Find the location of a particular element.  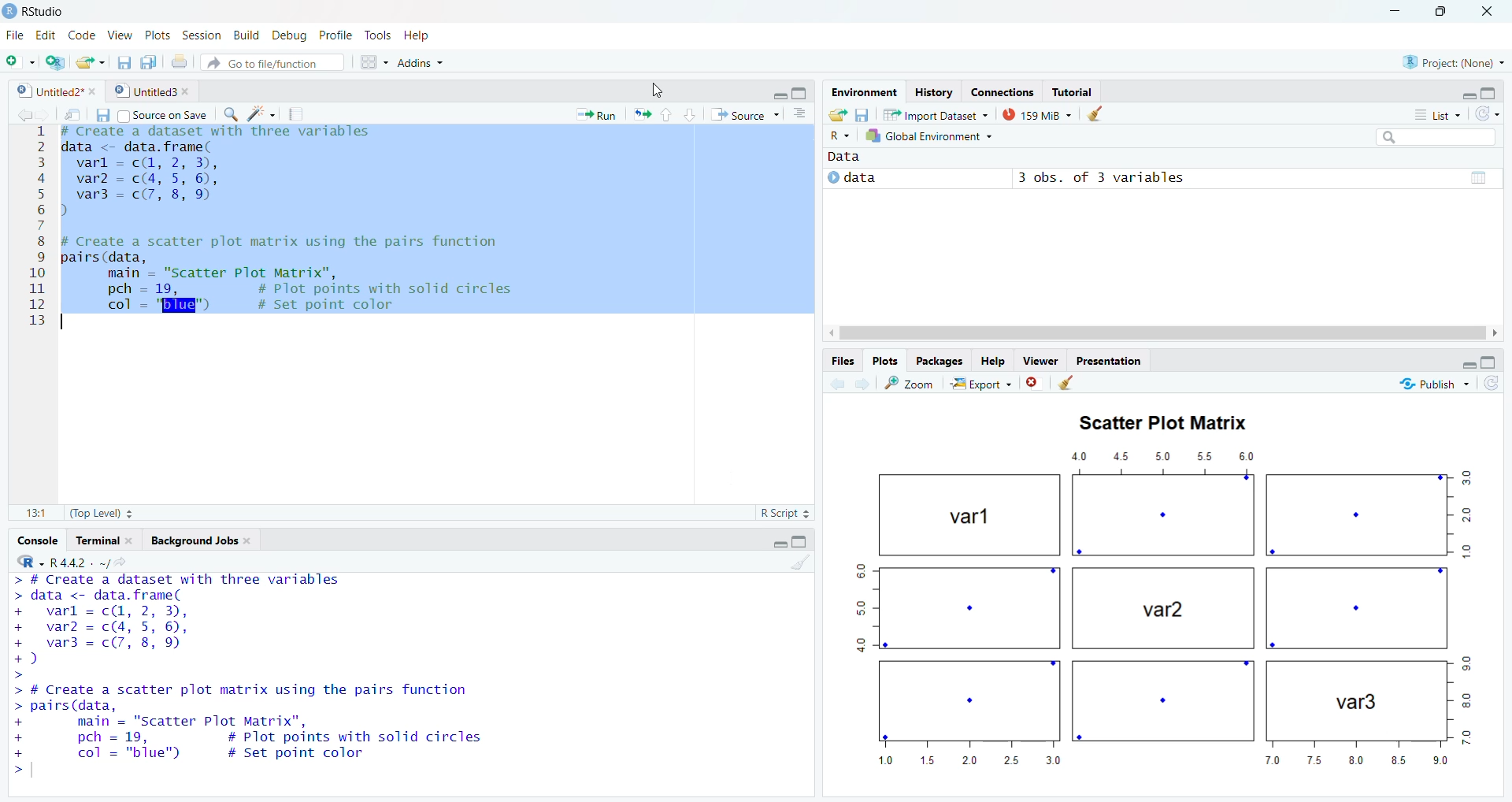

Zoom is located at coordinates (911, 384).